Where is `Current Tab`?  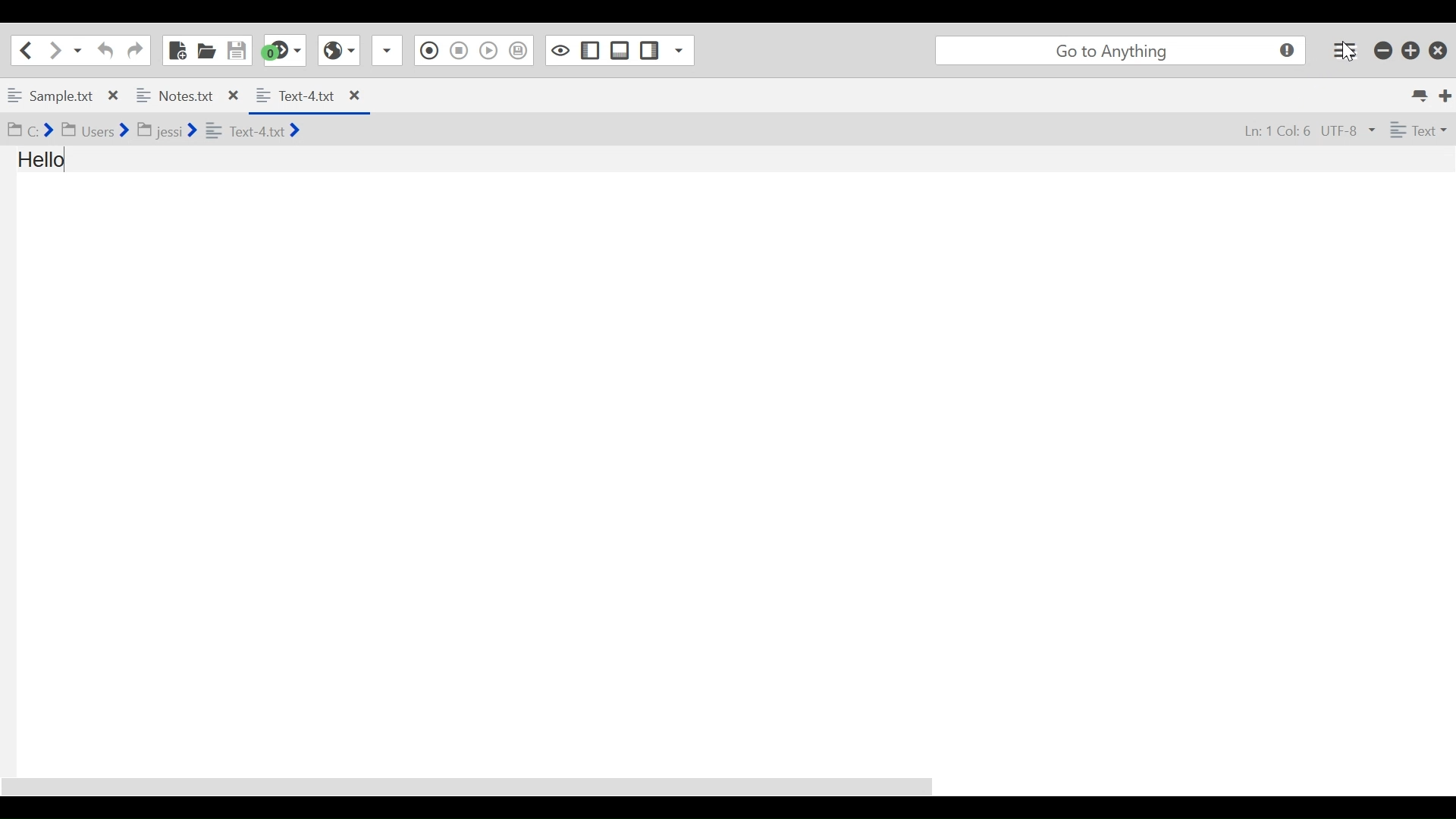 Current Tab is located at coordinates (307, 96).